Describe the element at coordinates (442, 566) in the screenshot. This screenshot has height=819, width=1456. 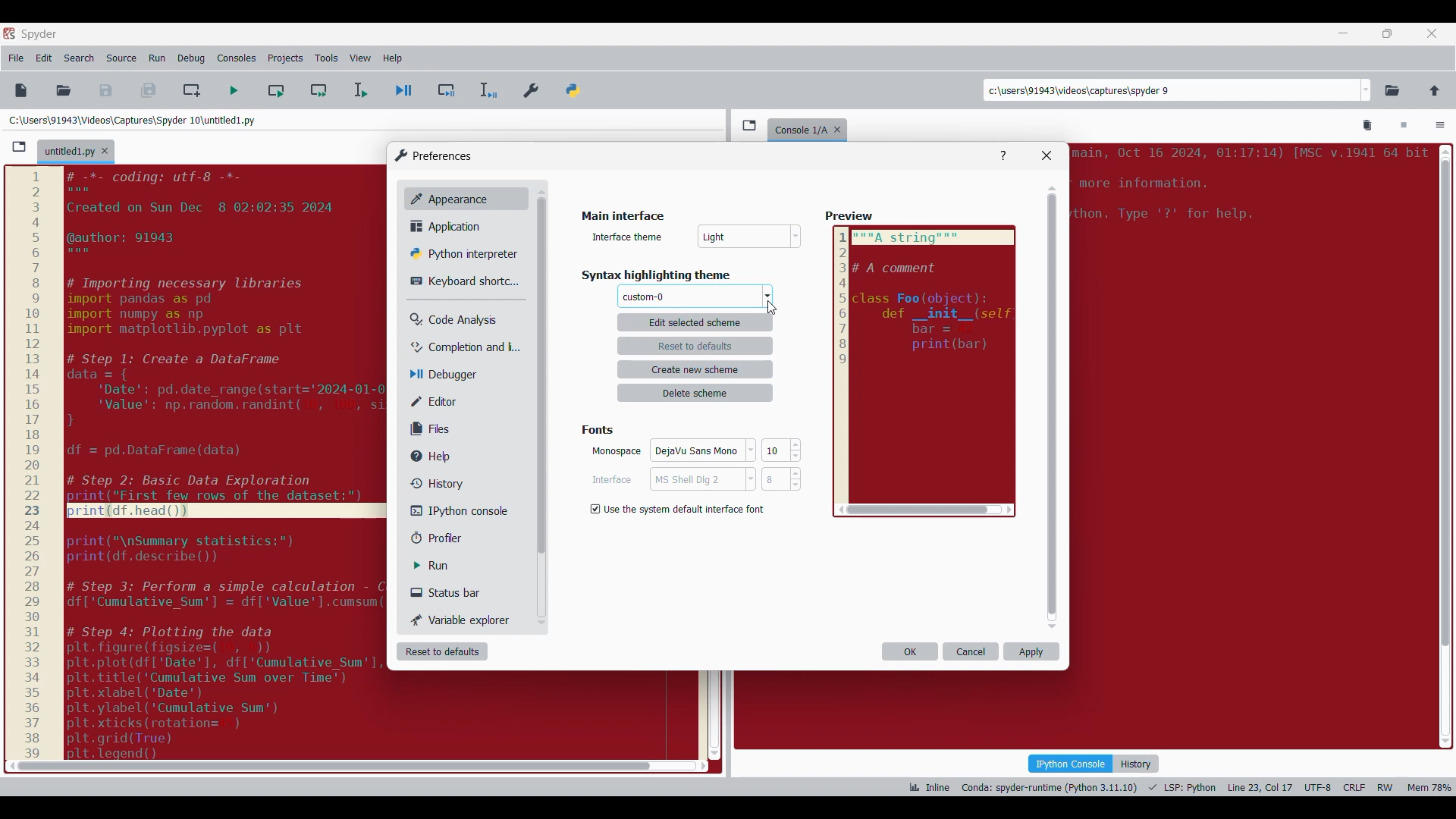
I see `Run` at that location.